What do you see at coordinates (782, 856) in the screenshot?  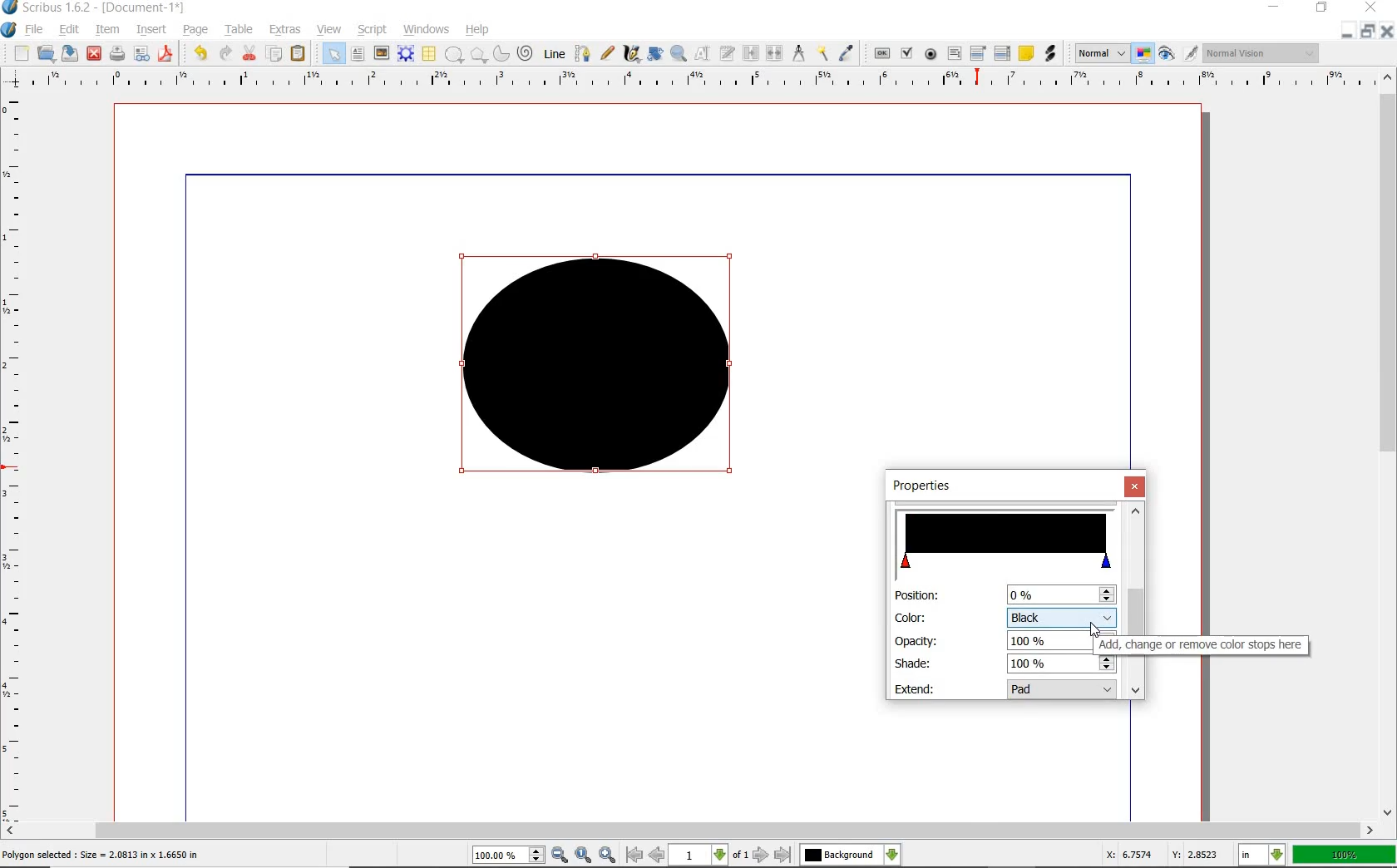 I see `last` at bounding box center [782, 856].